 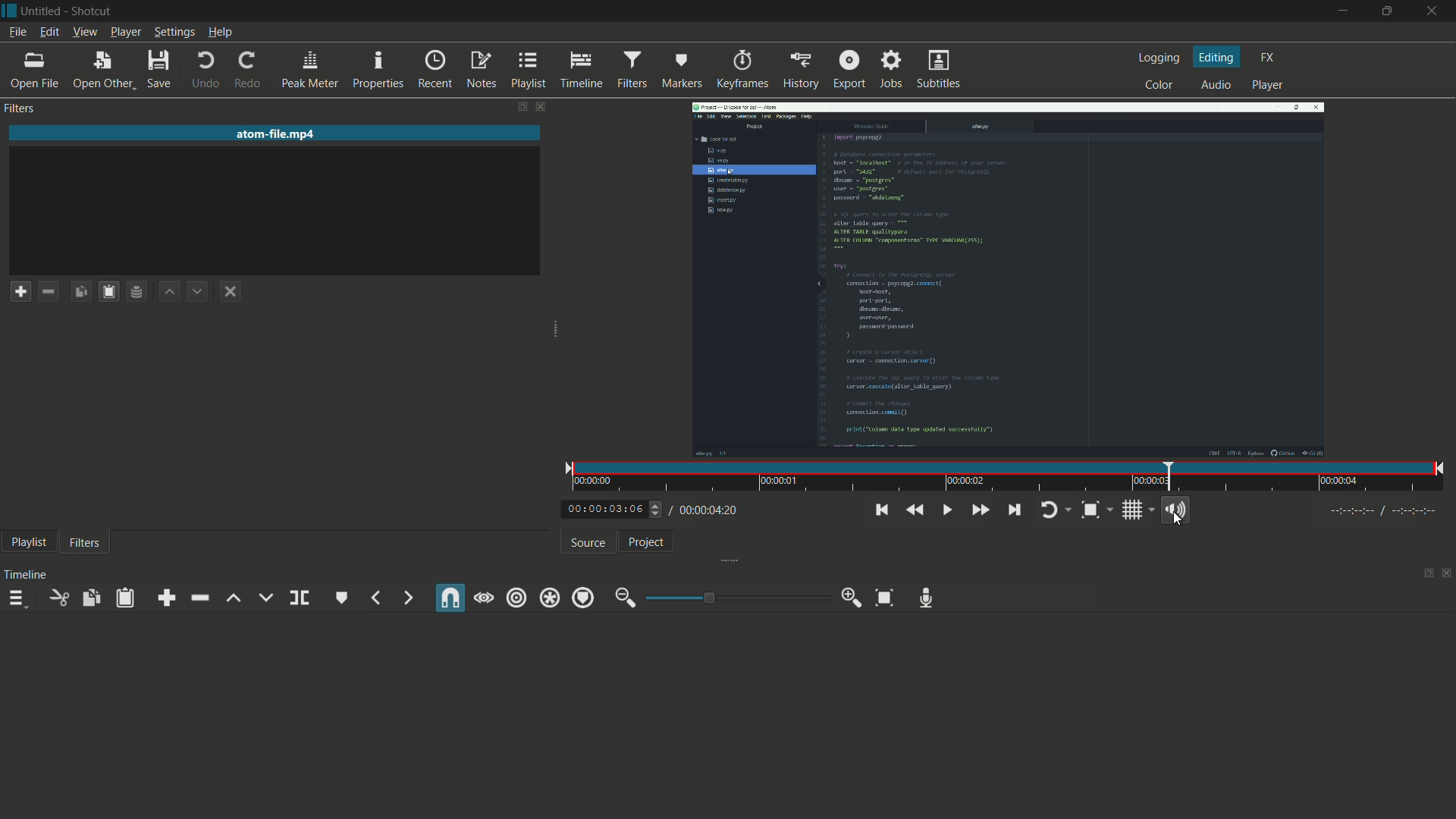 I want to click on record audio, so click(x=927, y=598).